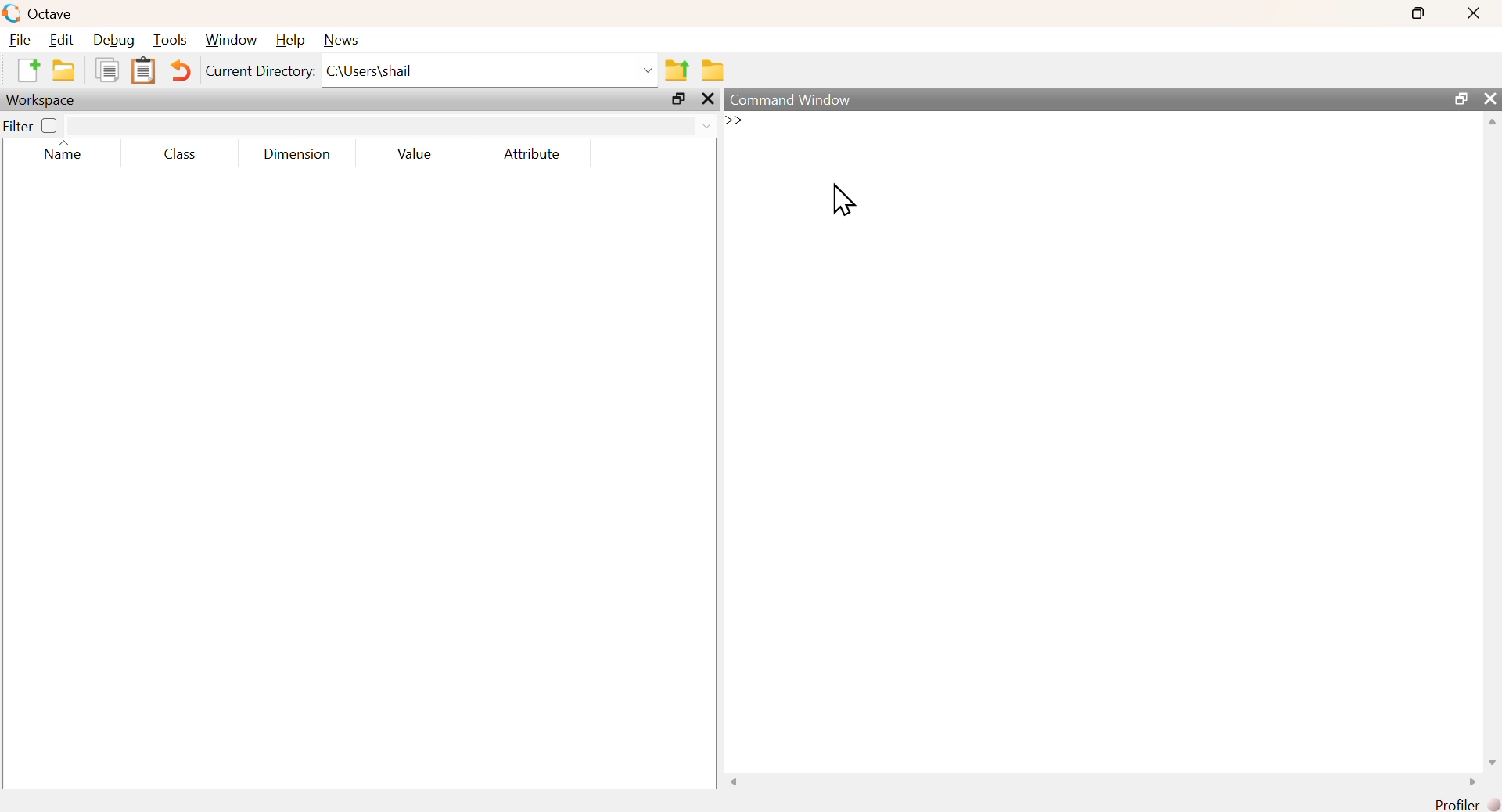  Describe the element at coordinates (49, 125) in the screenshot. I see `off` at that location.